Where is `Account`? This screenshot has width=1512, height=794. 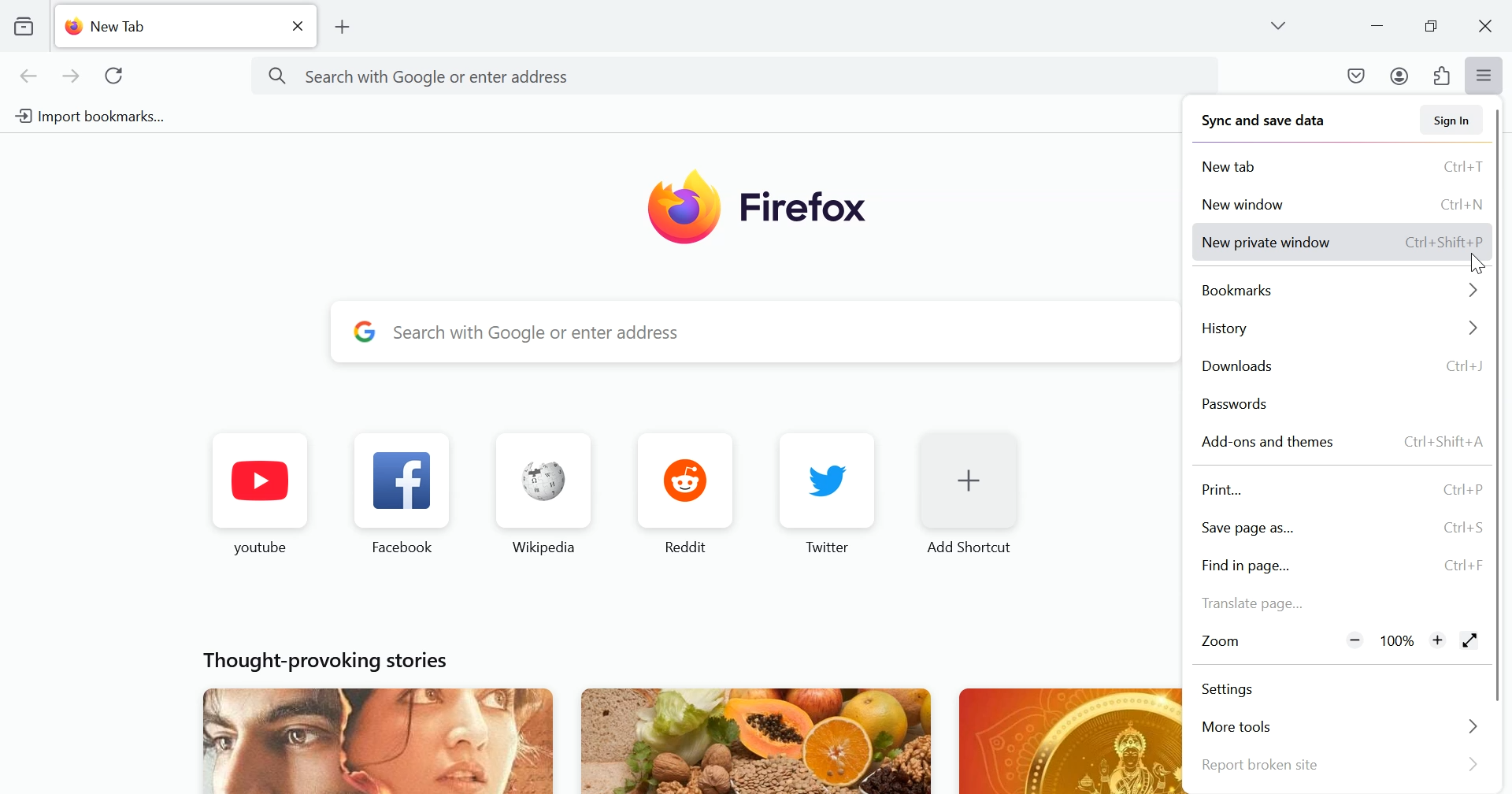
Account is located at coordinates (1399, 76).